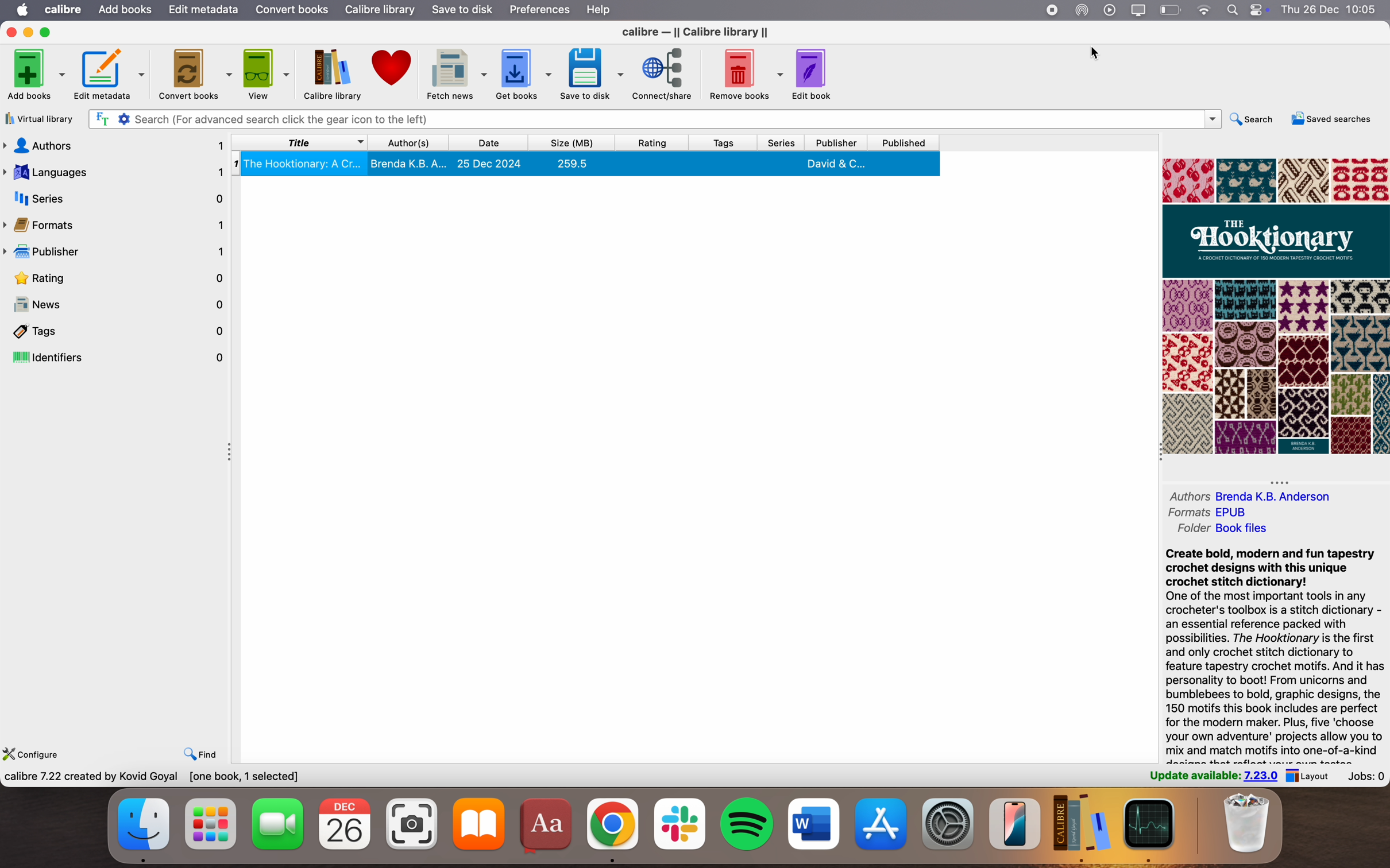  Describe the element at coordinates (115, 146) in the screenshot. I see `authors` at that location.